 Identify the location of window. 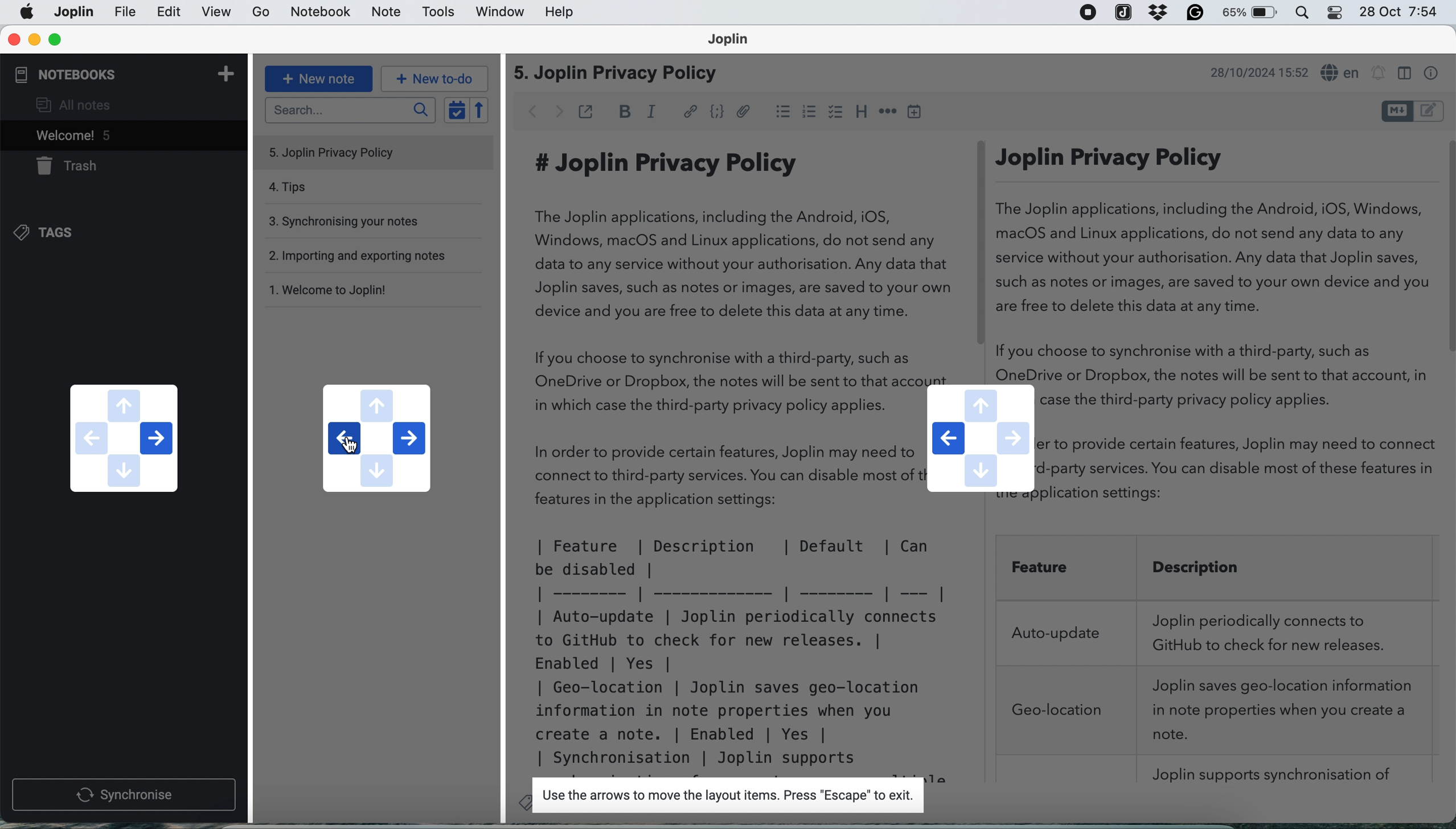
(497, 13).